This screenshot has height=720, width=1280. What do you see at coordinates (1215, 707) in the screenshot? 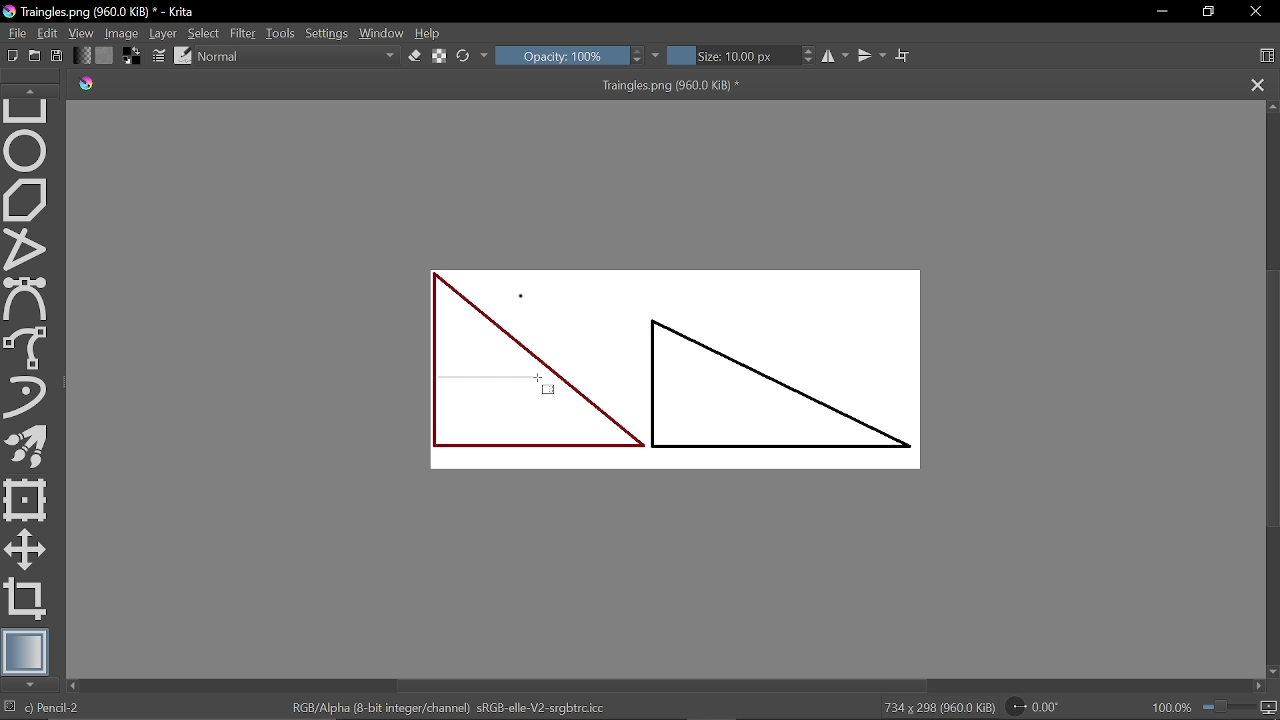
I see `100.0%` at bounding box center [1215, 707].